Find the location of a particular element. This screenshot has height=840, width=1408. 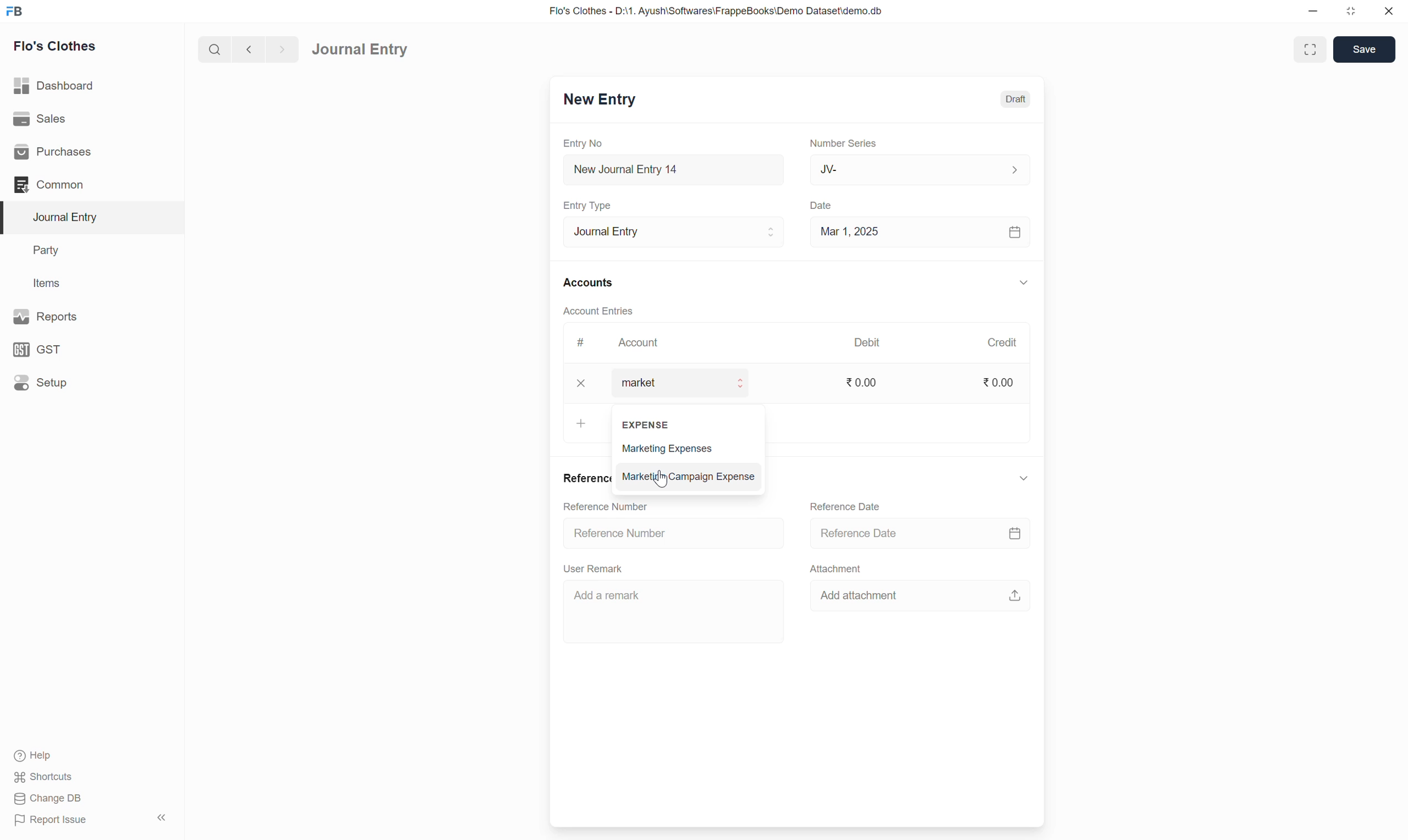

References is located at coordinates (587, 477).